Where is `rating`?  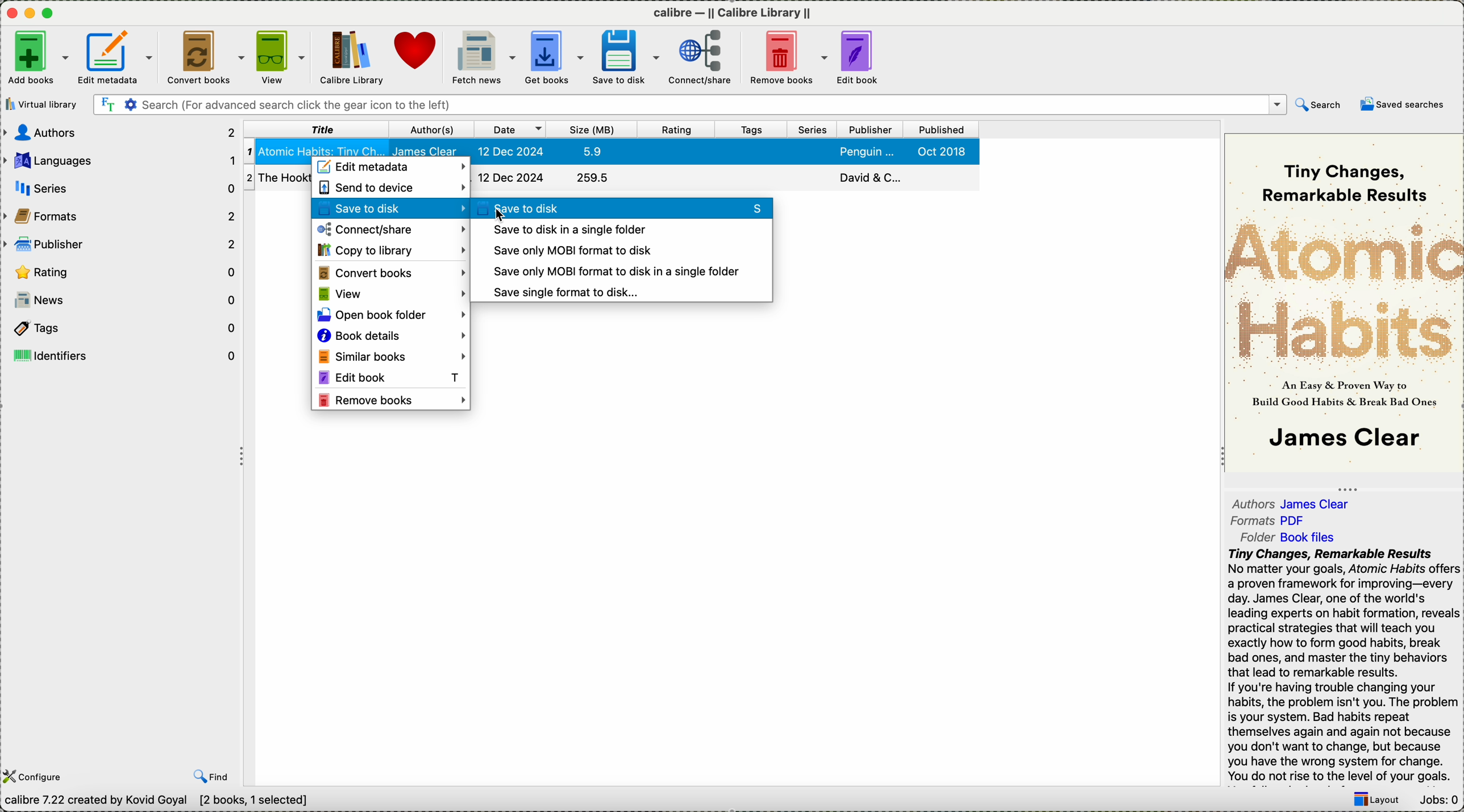 rating is located at coordinates (118, 270).